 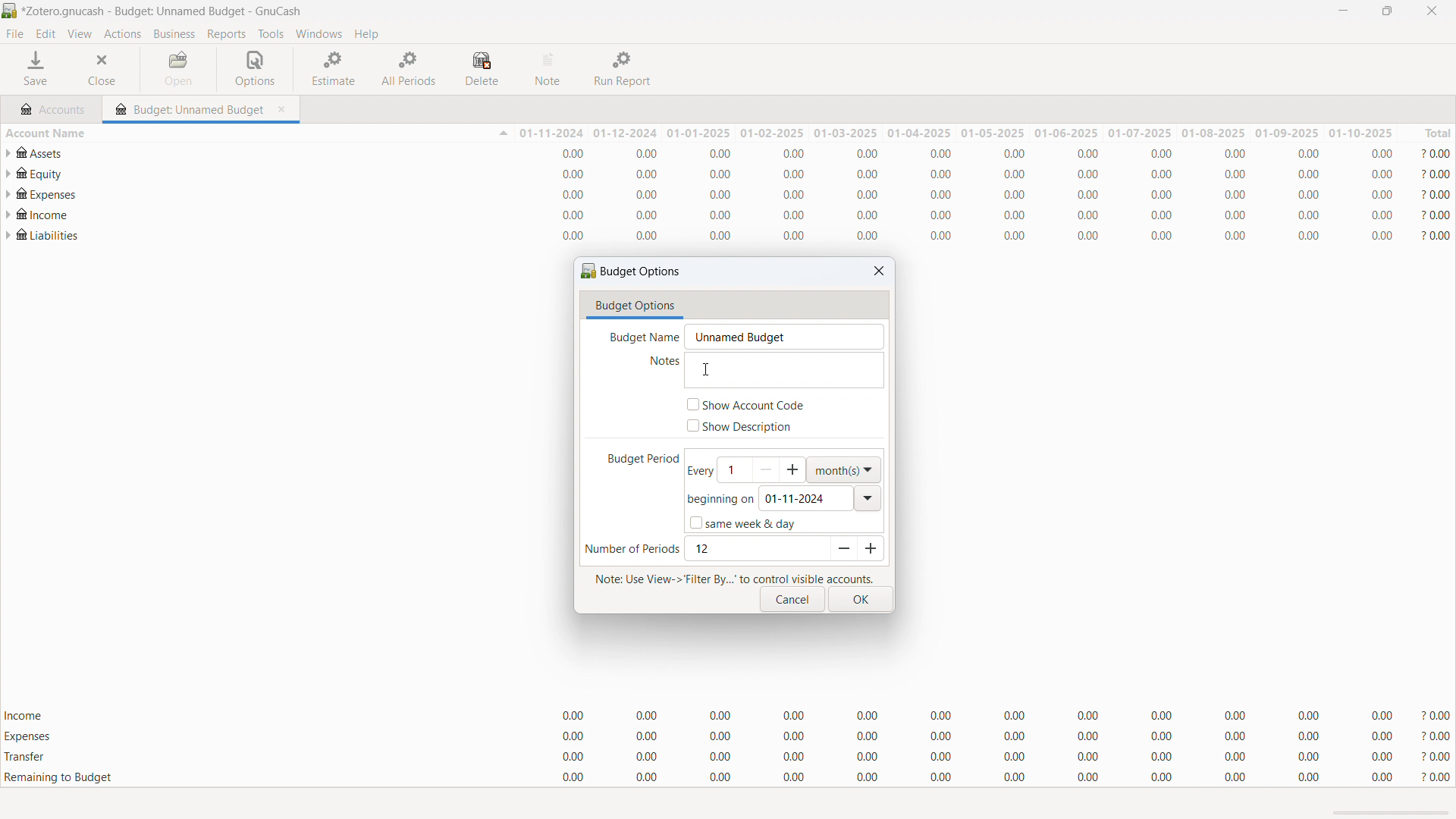 I want to click on show description, so click(x=741, y=426).